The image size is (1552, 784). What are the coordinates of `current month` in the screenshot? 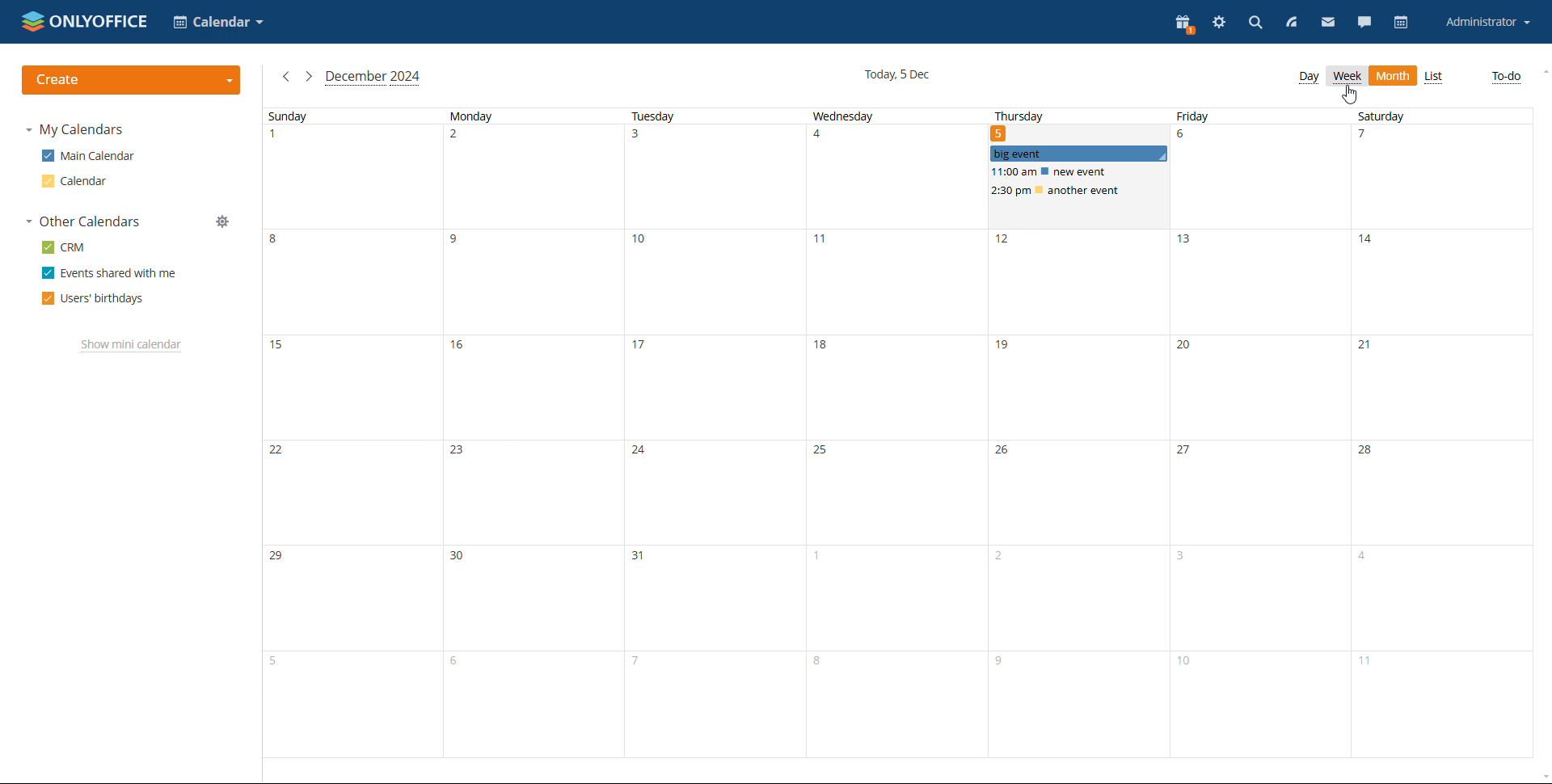 It's located at (373, 78).